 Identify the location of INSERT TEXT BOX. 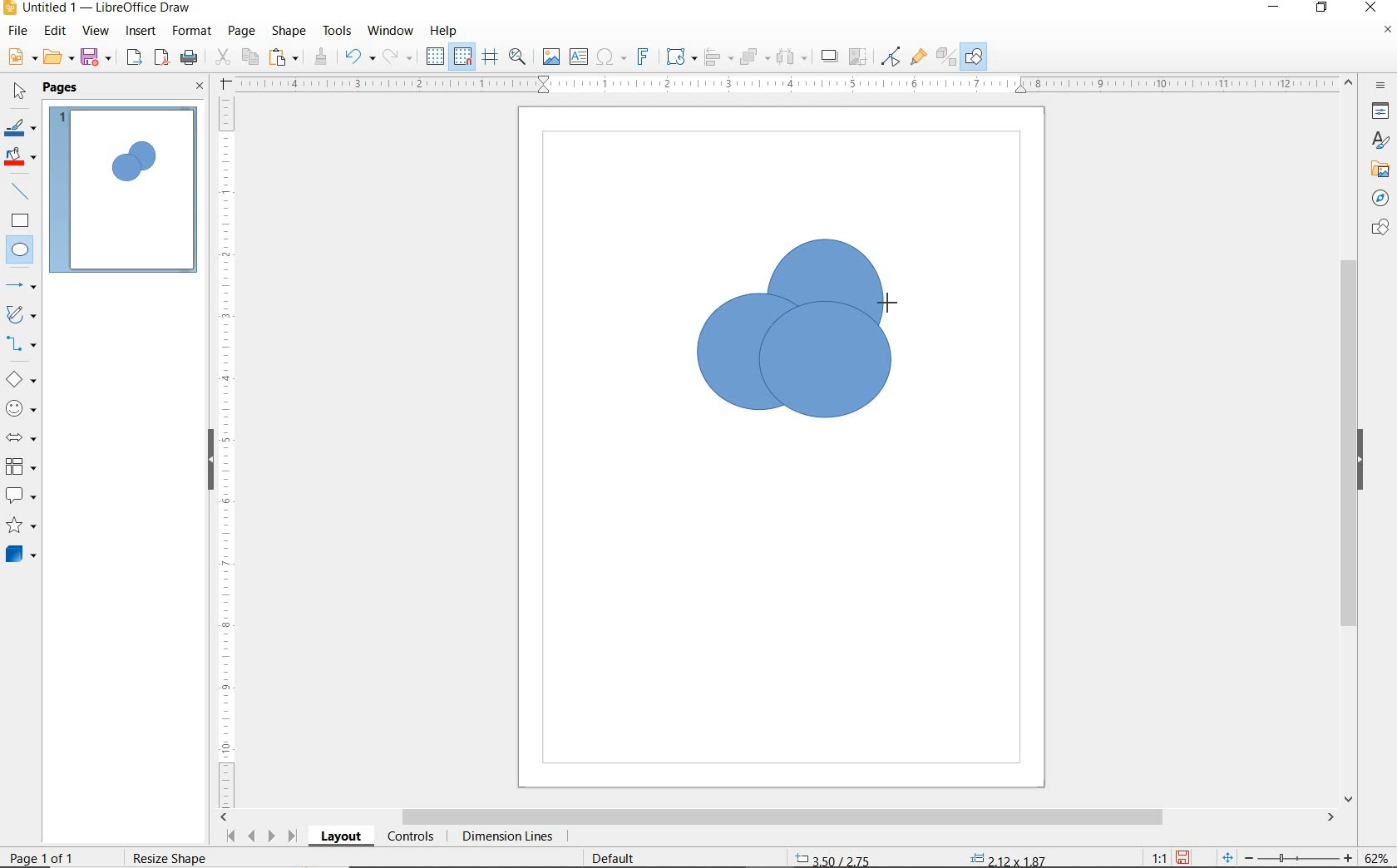
(580, 57).